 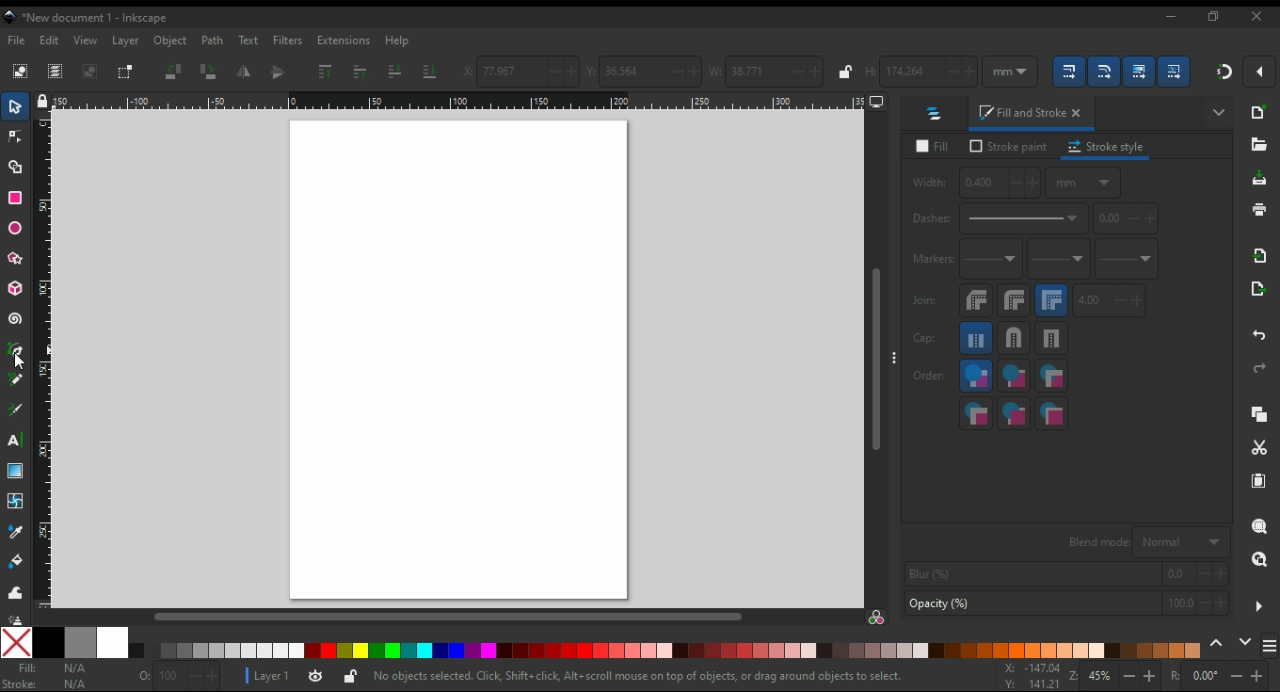 I want to click on dashes, so click(x=1003, y=218).